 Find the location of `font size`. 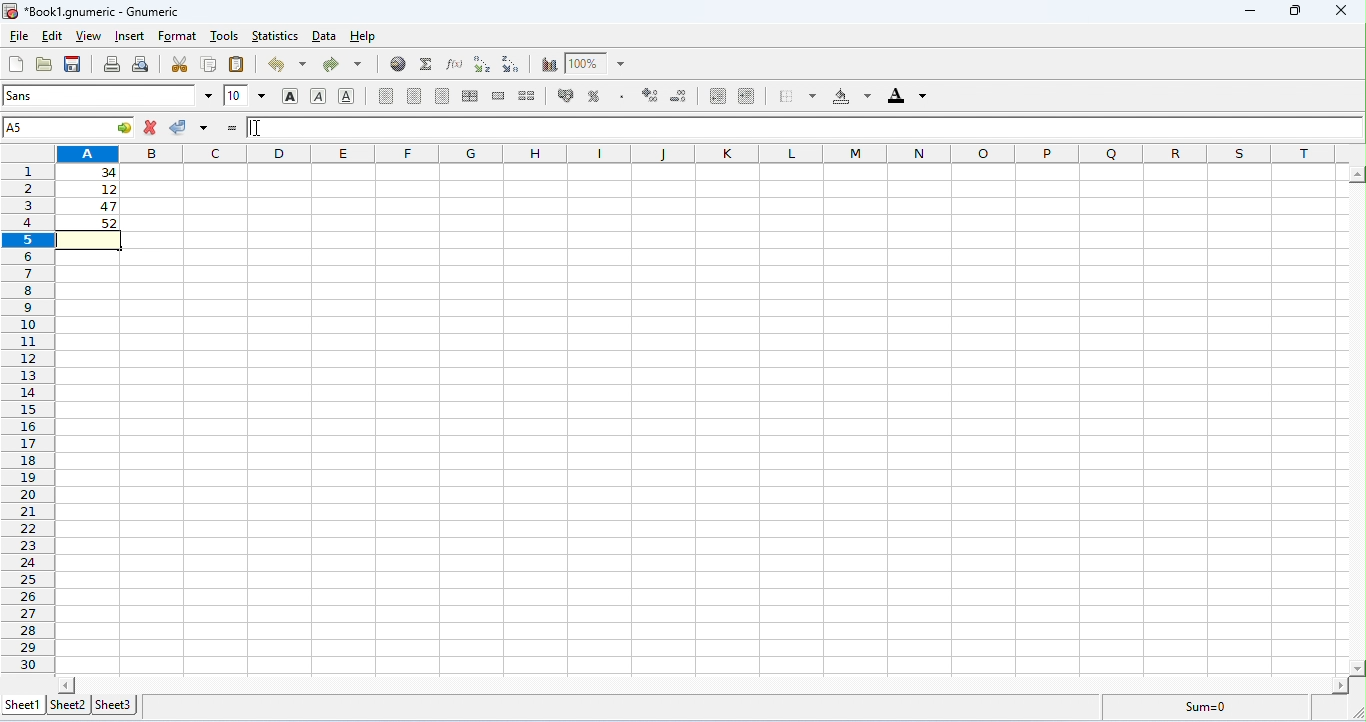

font size is located at coordinates (246, 95).